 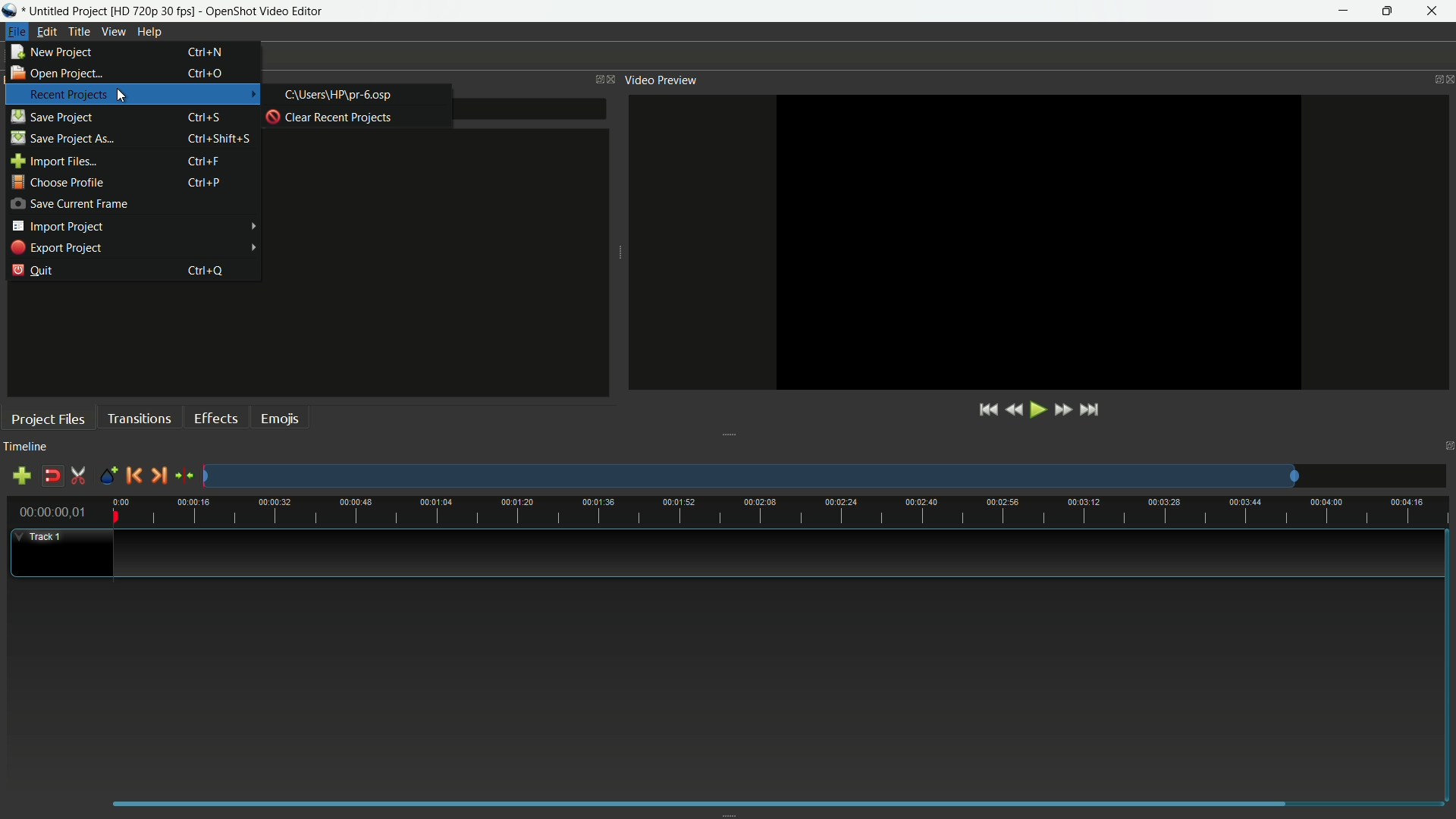 What do you see at coordinates (218, 417) in the screenshot?
I see `effects` at bounding box center [218, 417].